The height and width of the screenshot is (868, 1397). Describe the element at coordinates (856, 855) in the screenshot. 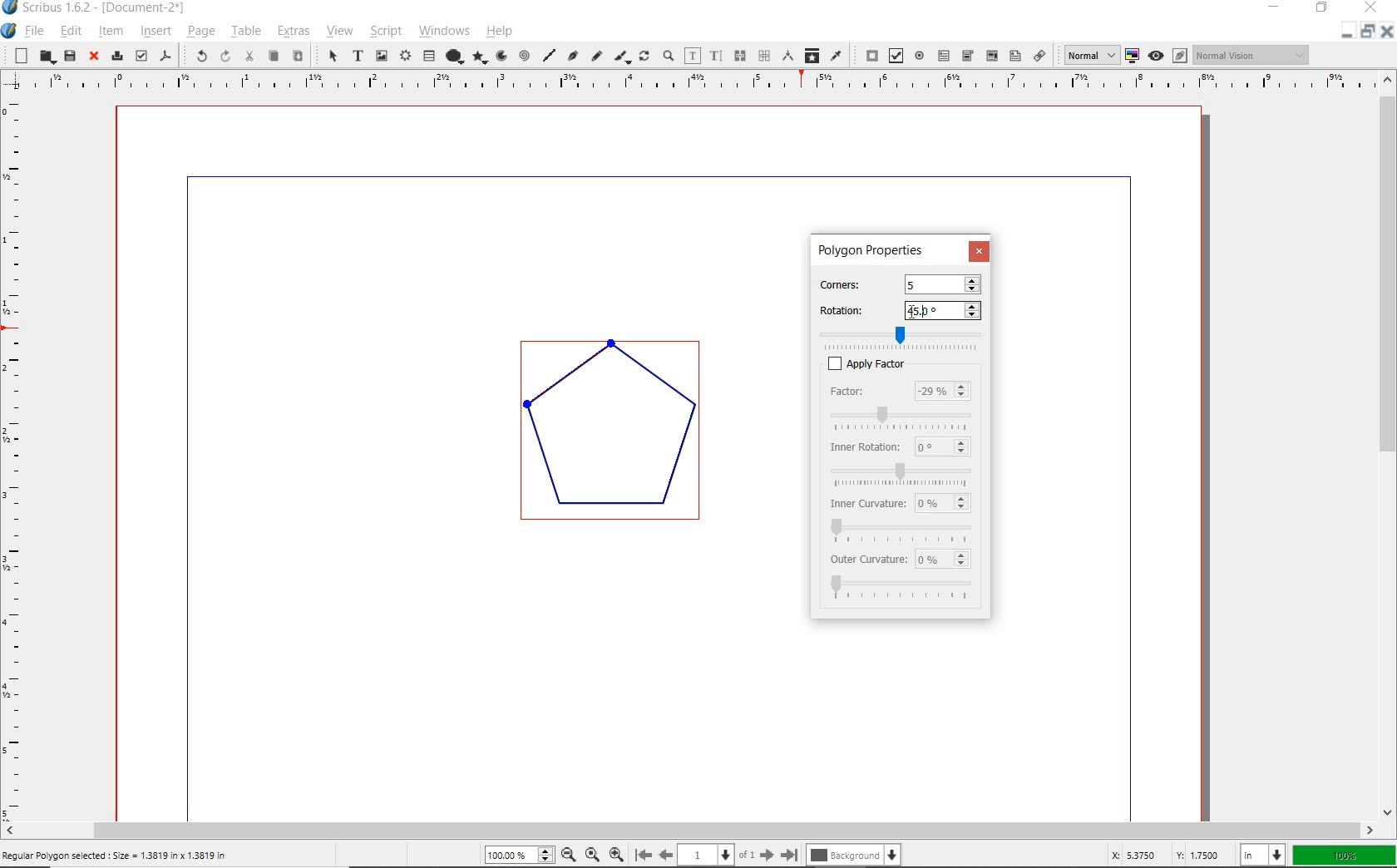

I see `Background` at that location.